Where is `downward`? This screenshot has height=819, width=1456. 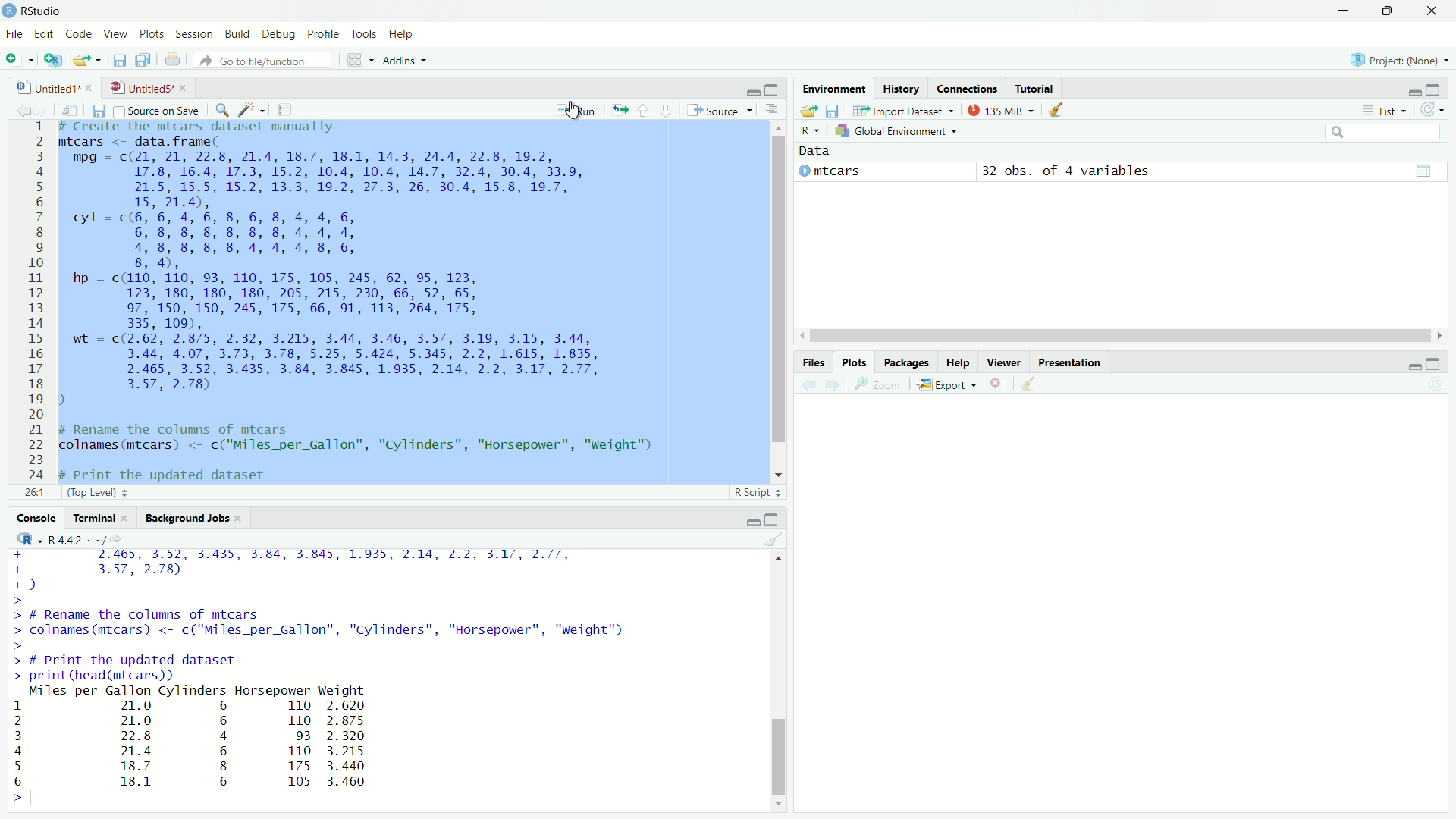
downward is located at coordinates (667, 106).